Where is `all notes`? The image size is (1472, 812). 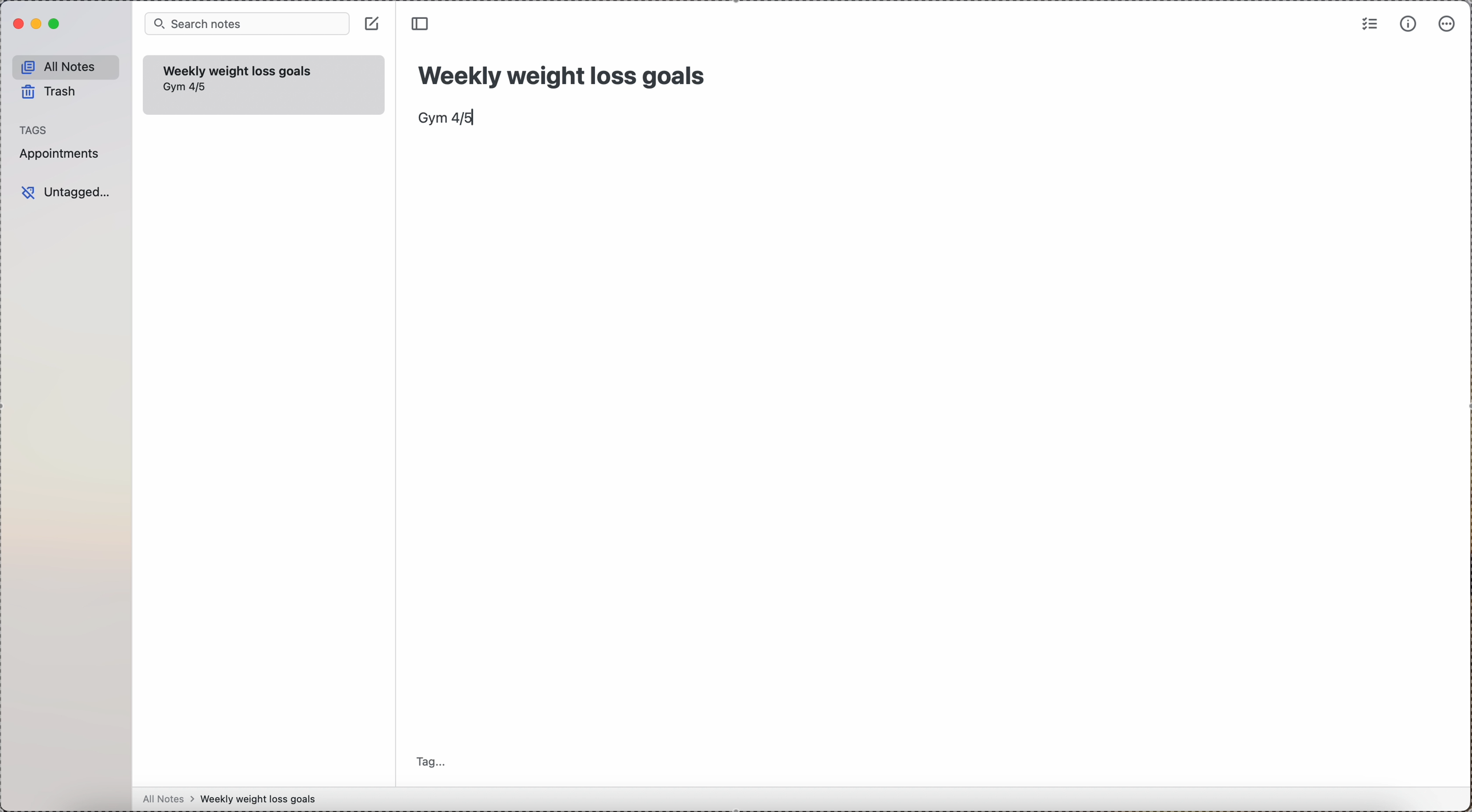
all notes is located at coordinates (66, 66).